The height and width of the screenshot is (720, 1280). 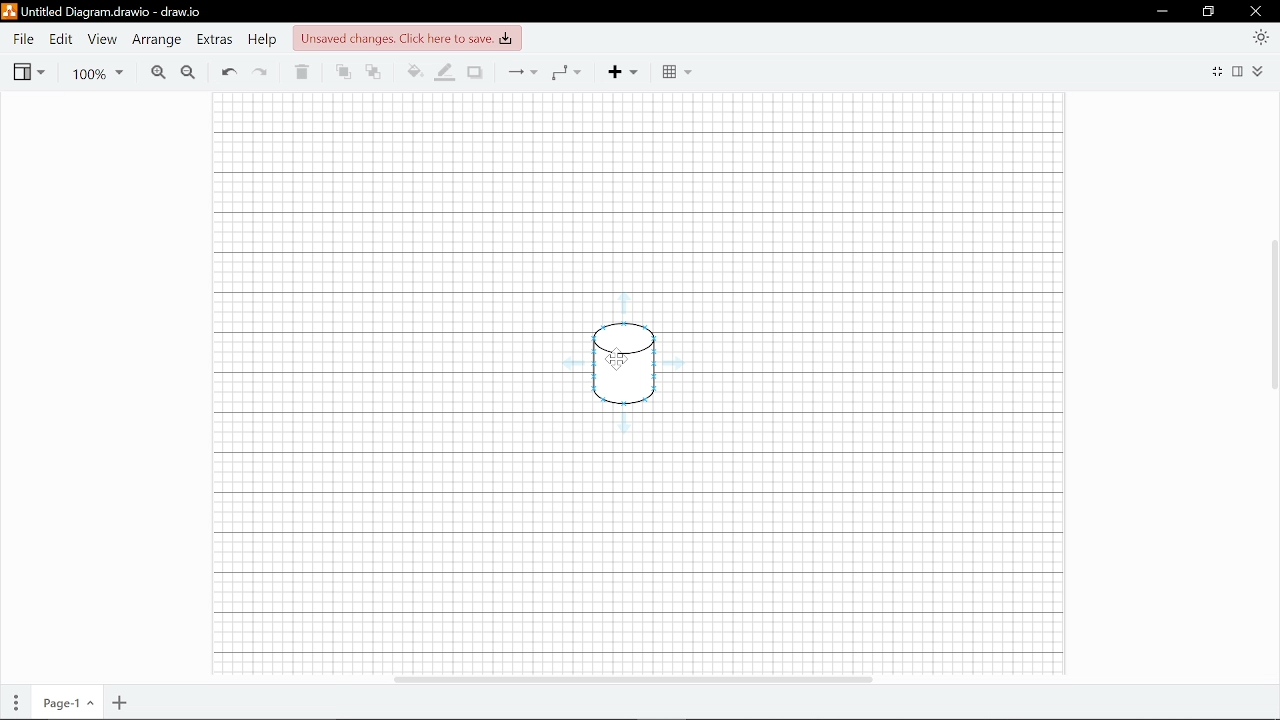 What do you see at coordinates (677, 72) in the screenshot?
I see `Table` at bounding box center [677, 72].